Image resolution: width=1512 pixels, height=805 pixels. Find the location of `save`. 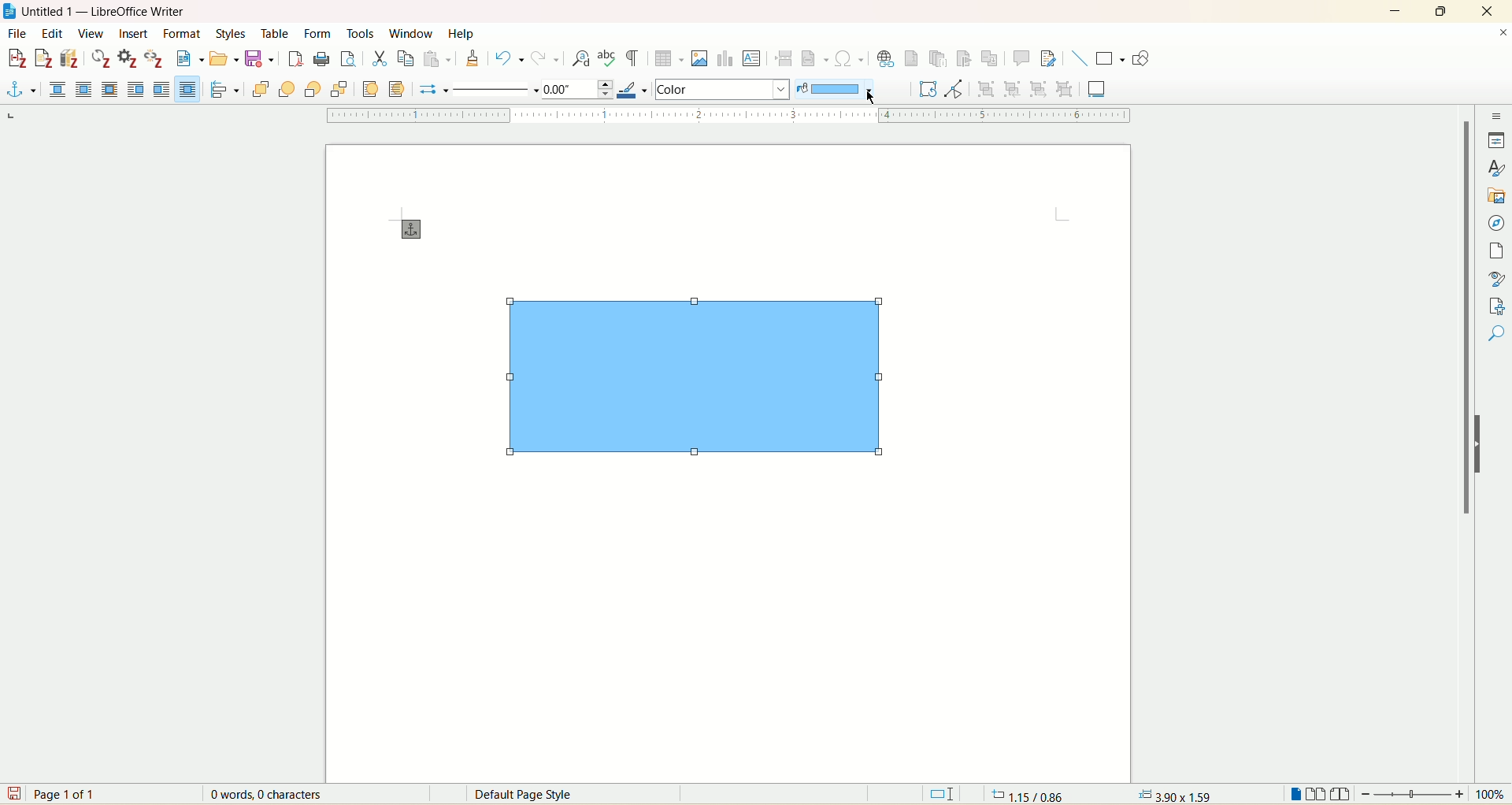

save is located at coordinates (13, 793).